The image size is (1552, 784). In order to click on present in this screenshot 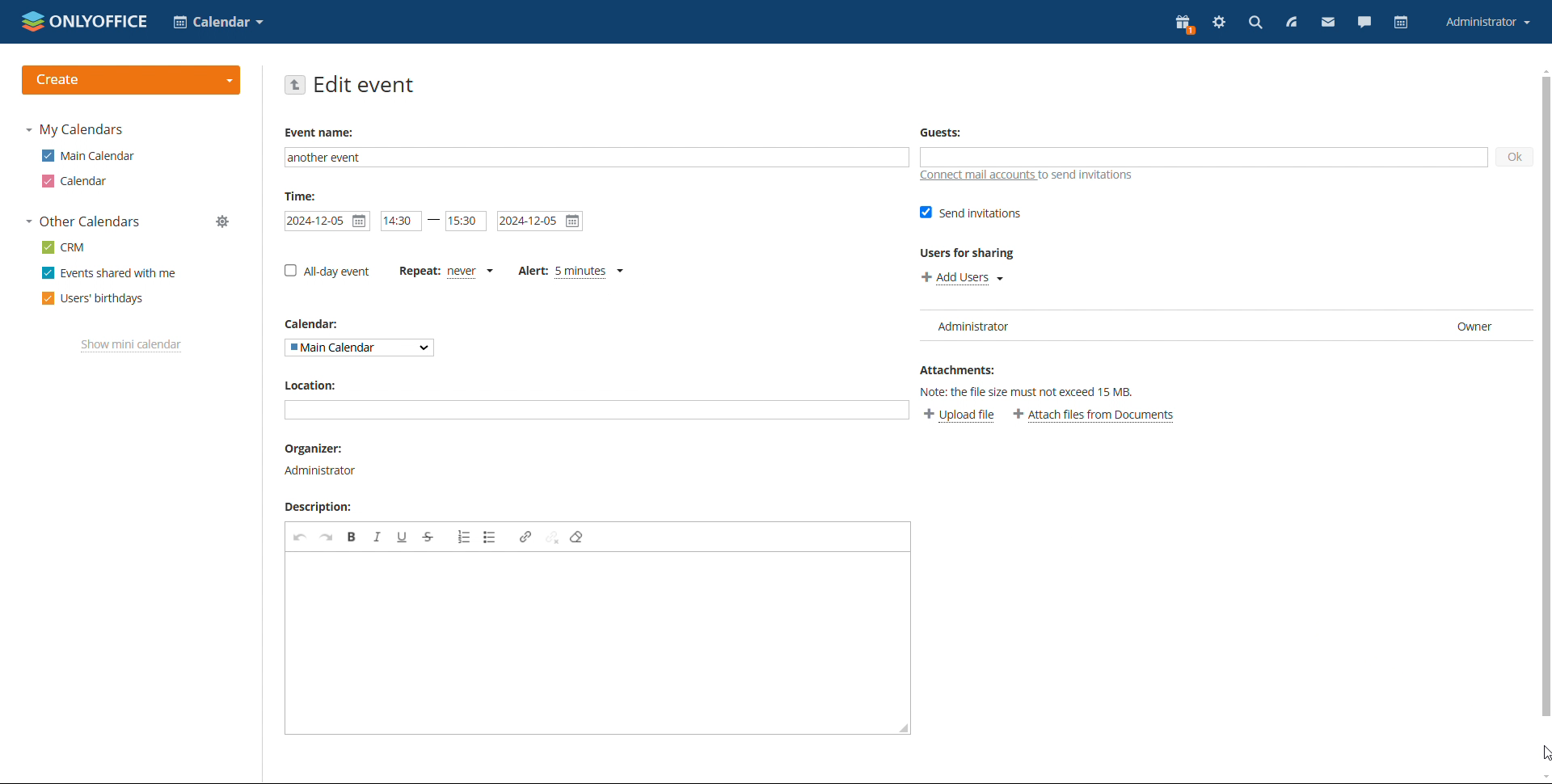, I will do `click(1185, 24)`.